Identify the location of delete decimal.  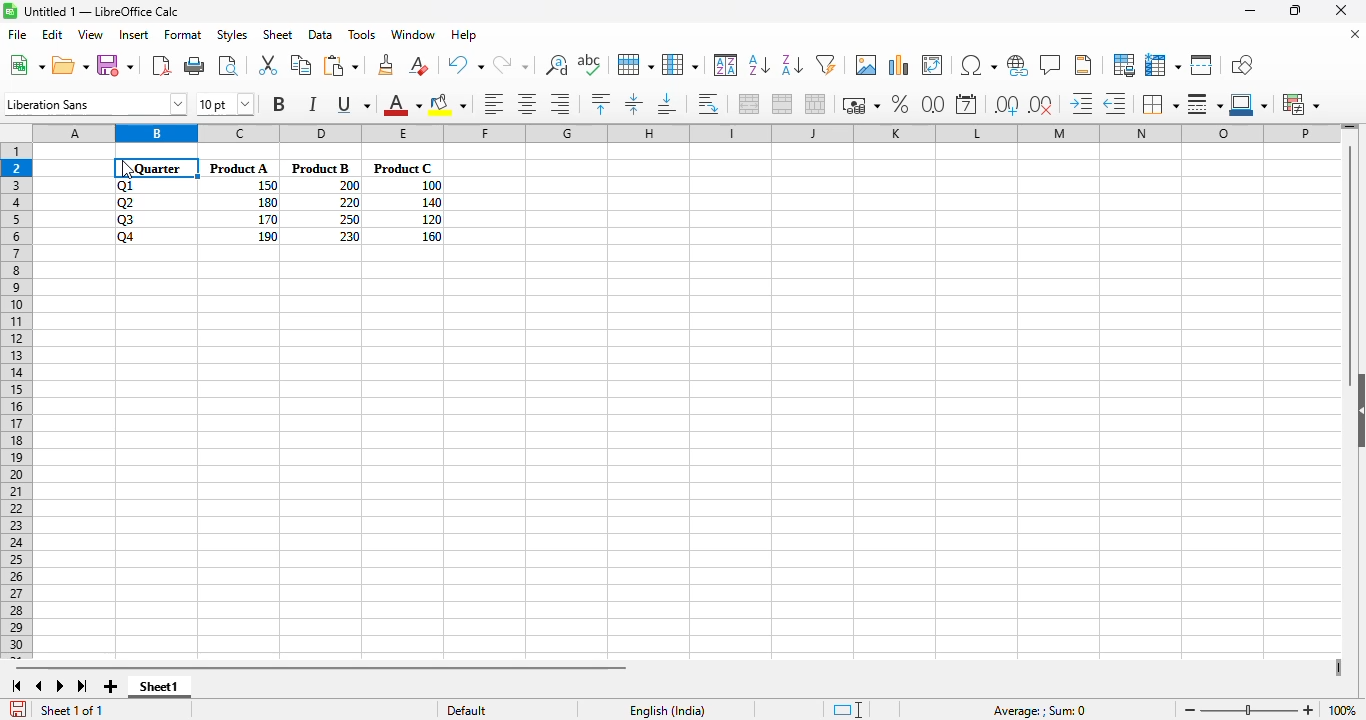
(1041, 104).